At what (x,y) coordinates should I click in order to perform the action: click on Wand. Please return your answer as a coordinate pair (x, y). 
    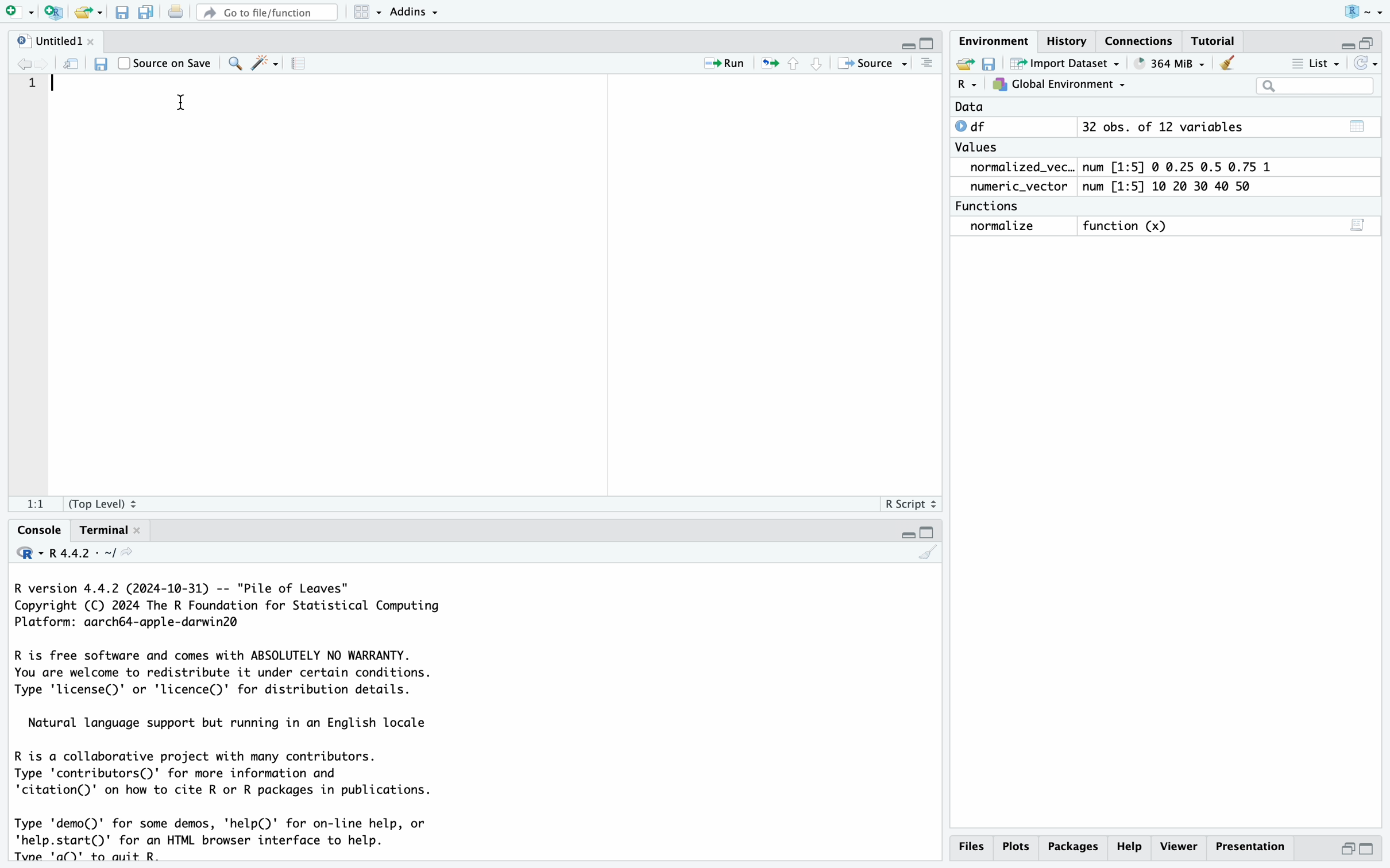
    Looking at the image, I should click on (263, 62).